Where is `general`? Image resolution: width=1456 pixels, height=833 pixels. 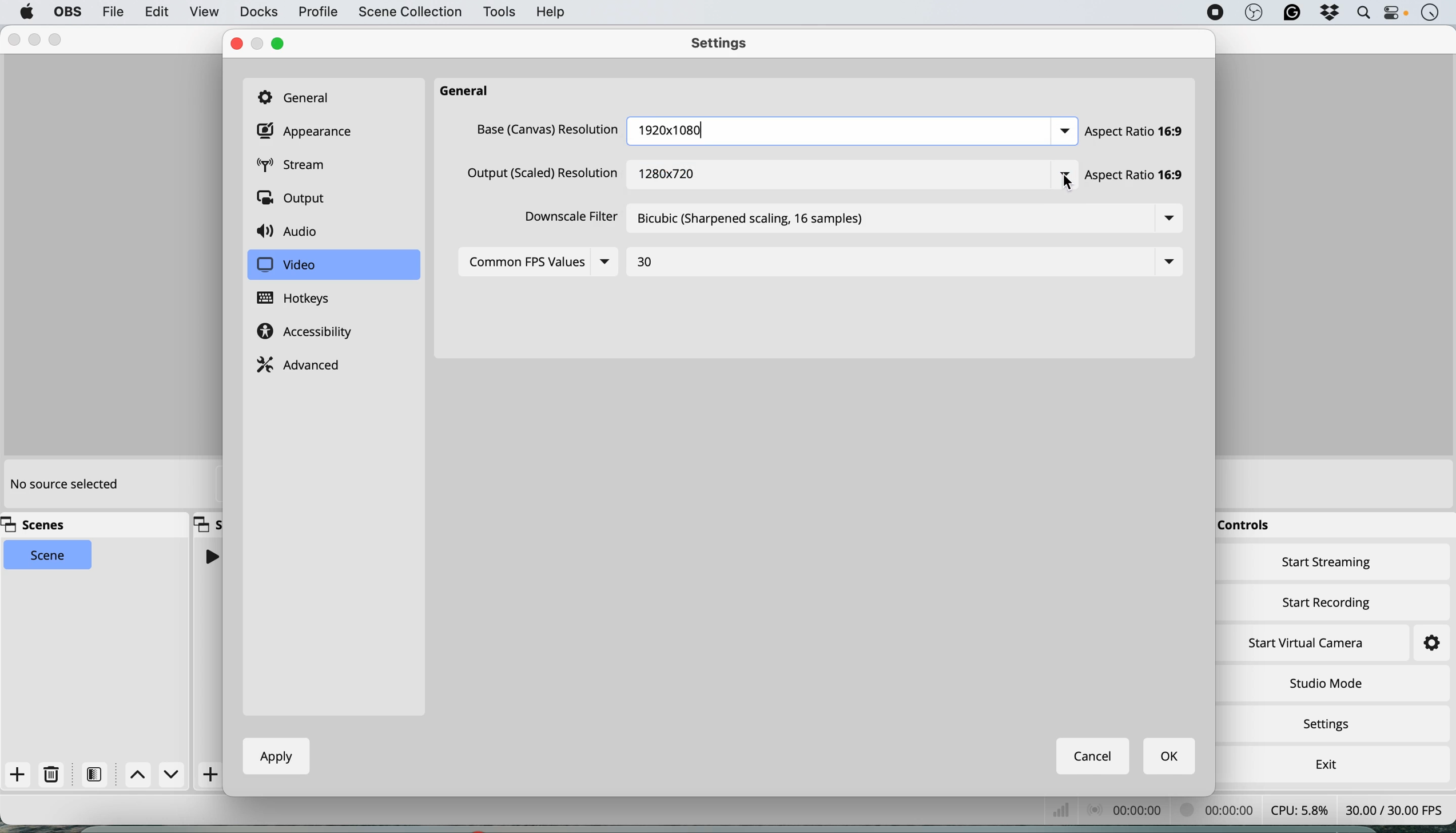
general is located at coordinates (470, 92).